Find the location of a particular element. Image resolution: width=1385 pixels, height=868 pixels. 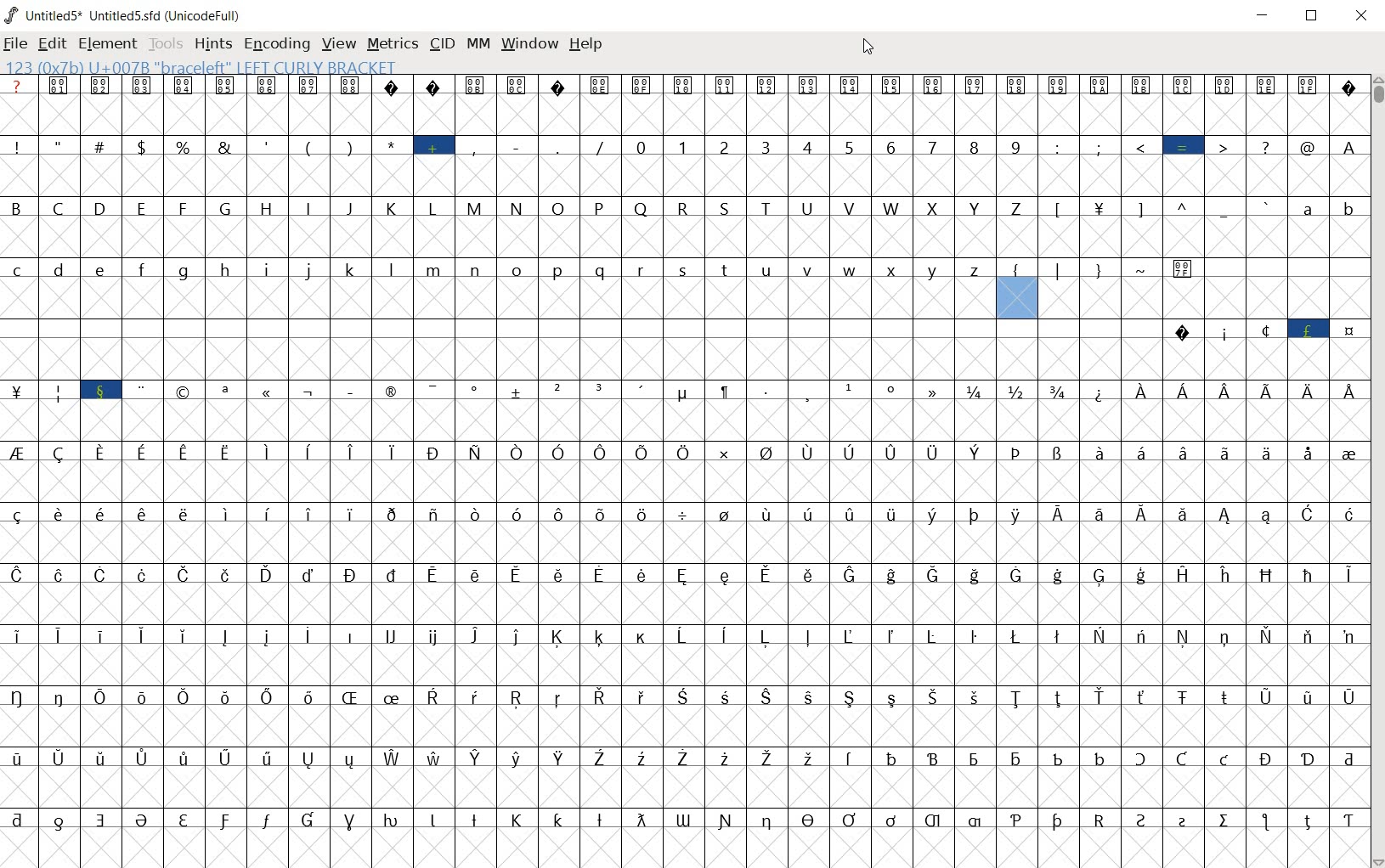

hints is located at coordinates (212, 44).